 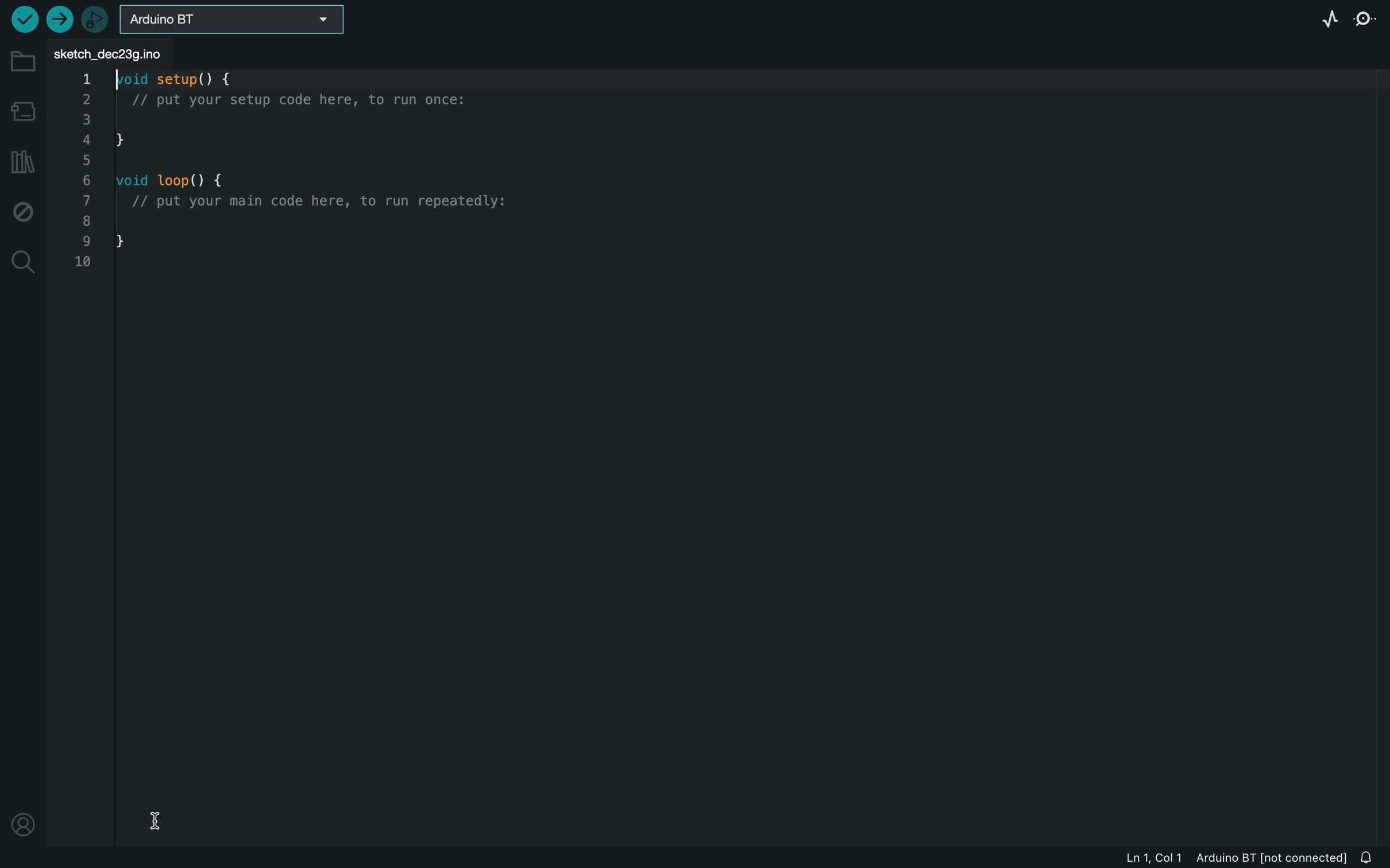 I want to click on serial plotter, so click(x=1326, y=16).